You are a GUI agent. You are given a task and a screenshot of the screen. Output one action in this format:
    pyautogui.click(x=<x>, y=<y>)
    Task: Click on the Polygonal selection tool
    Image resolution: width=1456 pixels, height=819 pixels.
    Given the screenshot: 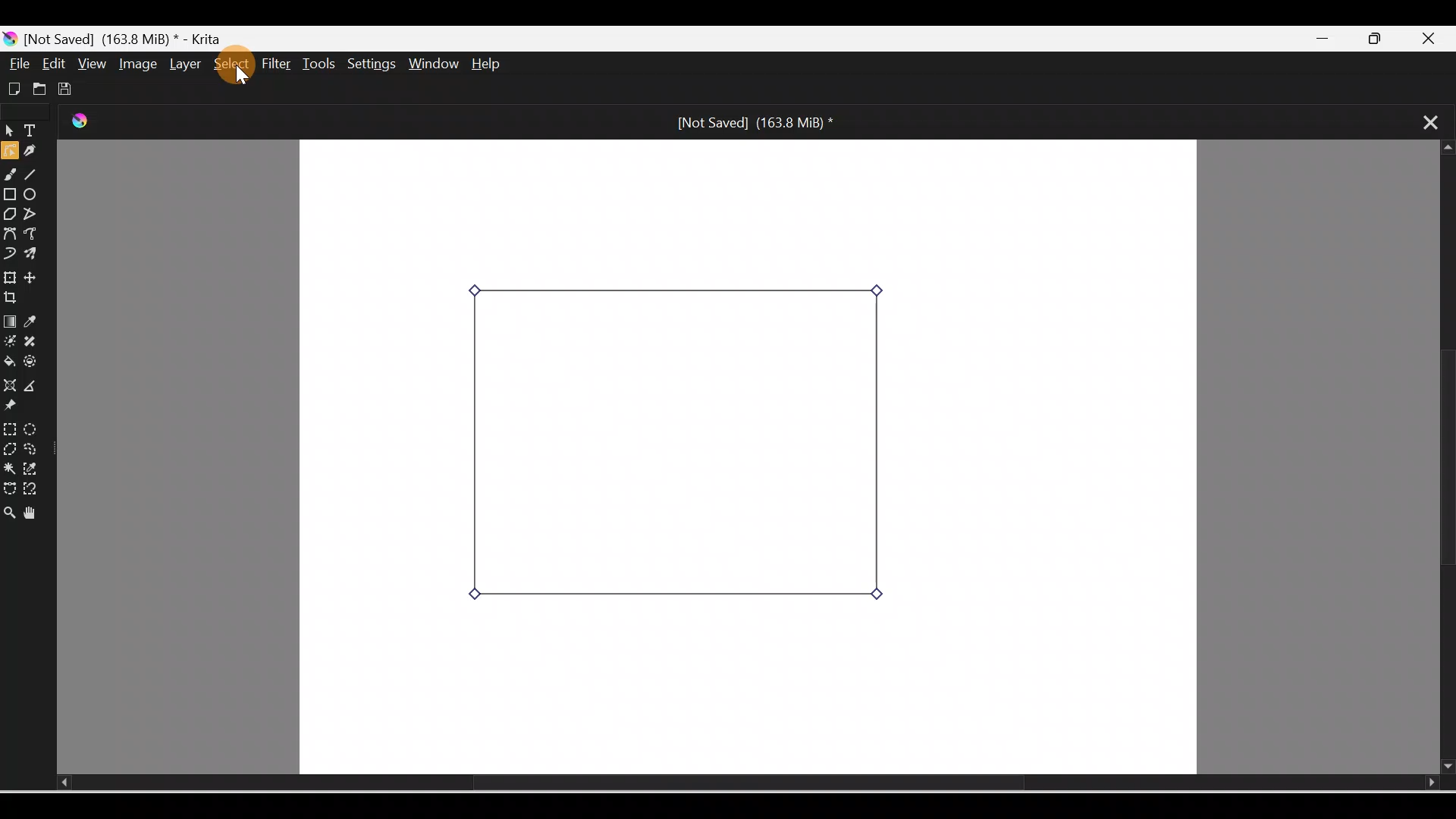 What is the action you would take?
    pyautogui.click(x=10, y=447)
    